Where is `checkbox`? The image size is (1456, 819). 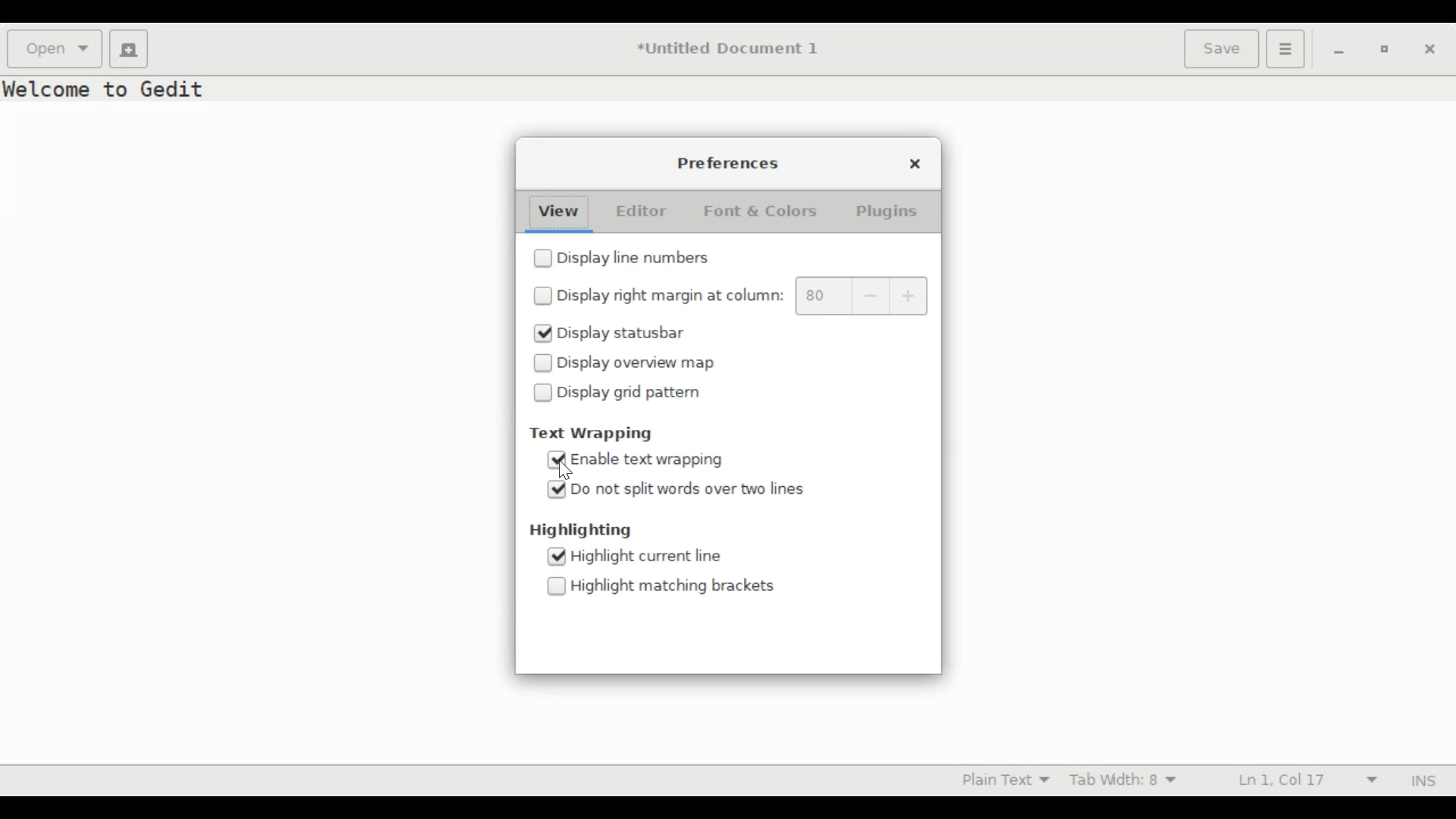
checkbox is located at coordinates (543, 363).